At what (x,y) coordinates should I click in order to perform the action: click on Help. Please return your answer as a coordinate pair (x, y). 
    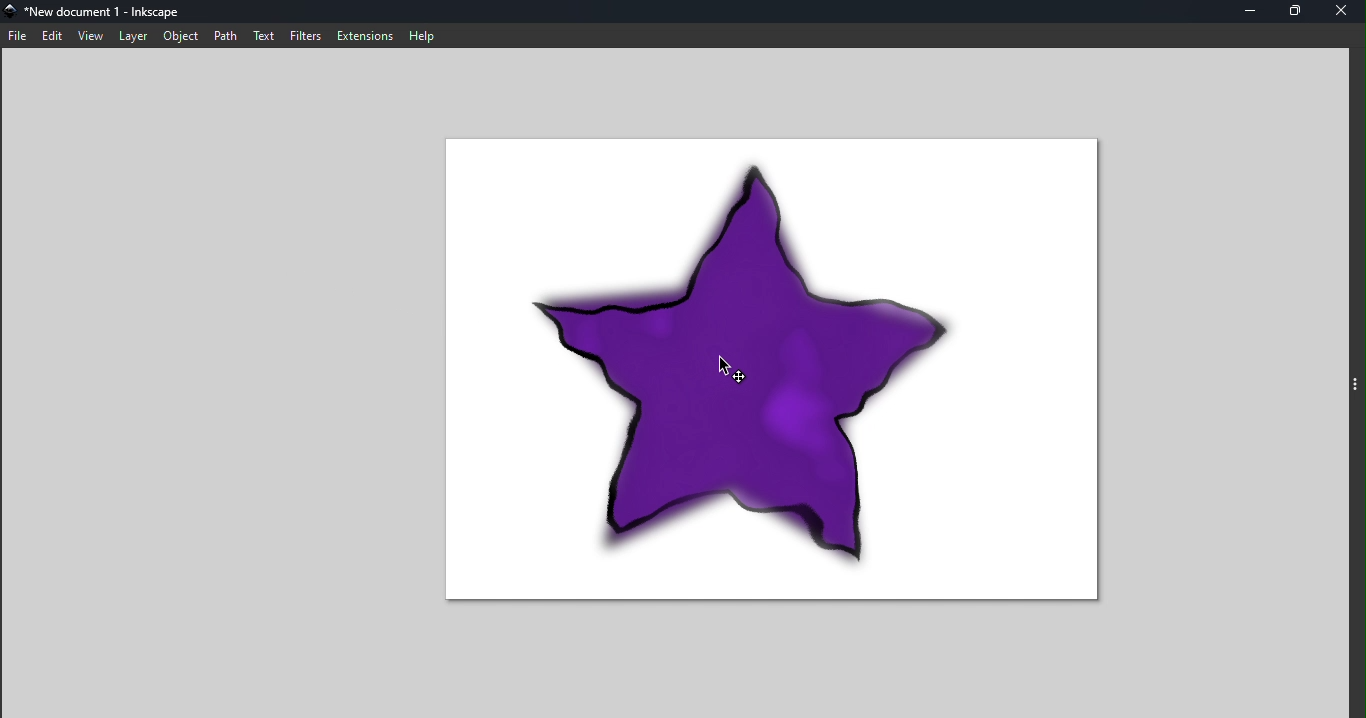
    Looking at the image, I should click on (422, 34).